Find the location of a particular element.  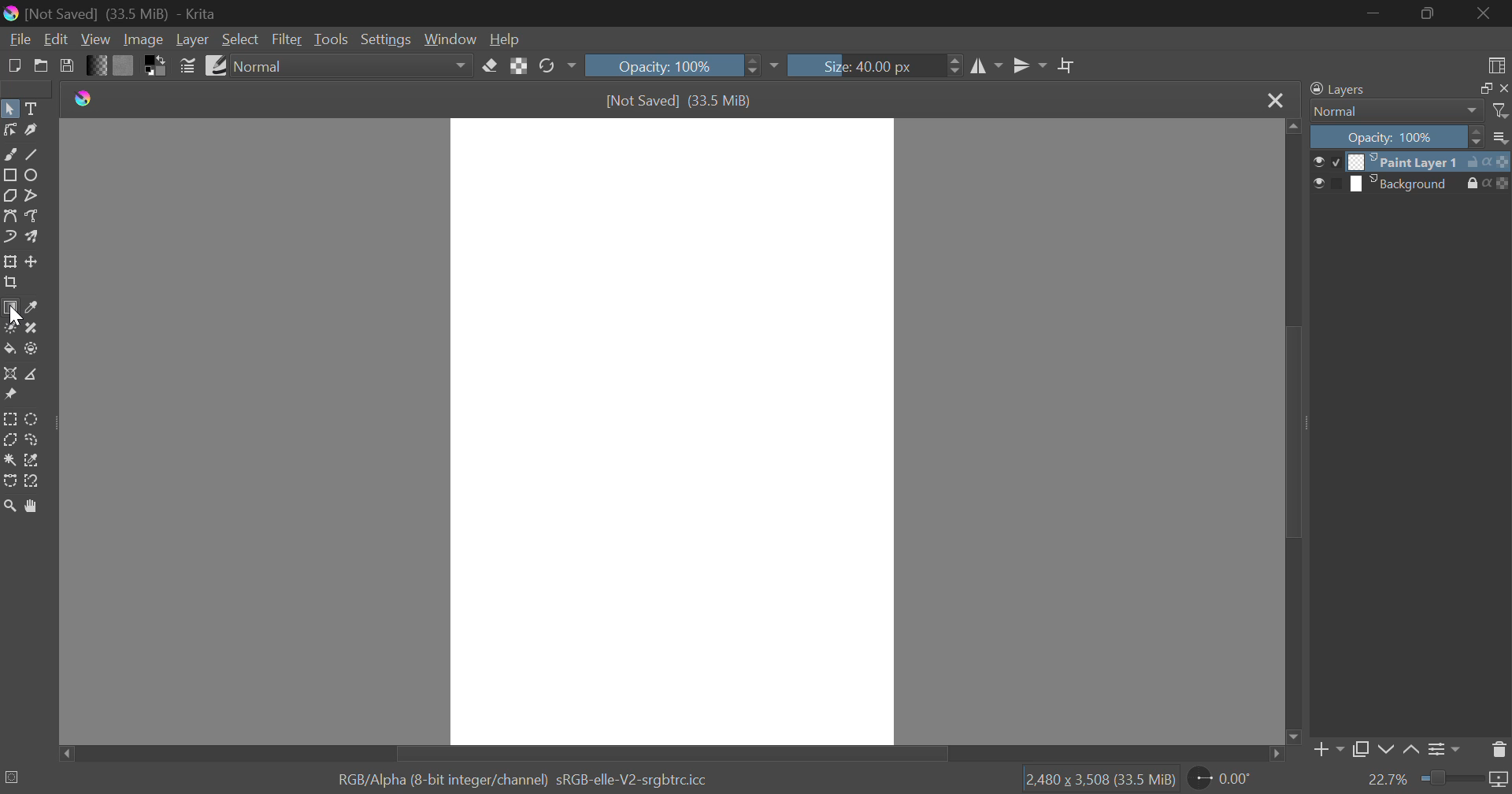

Eyedropper is located at coordinates (30, 309).